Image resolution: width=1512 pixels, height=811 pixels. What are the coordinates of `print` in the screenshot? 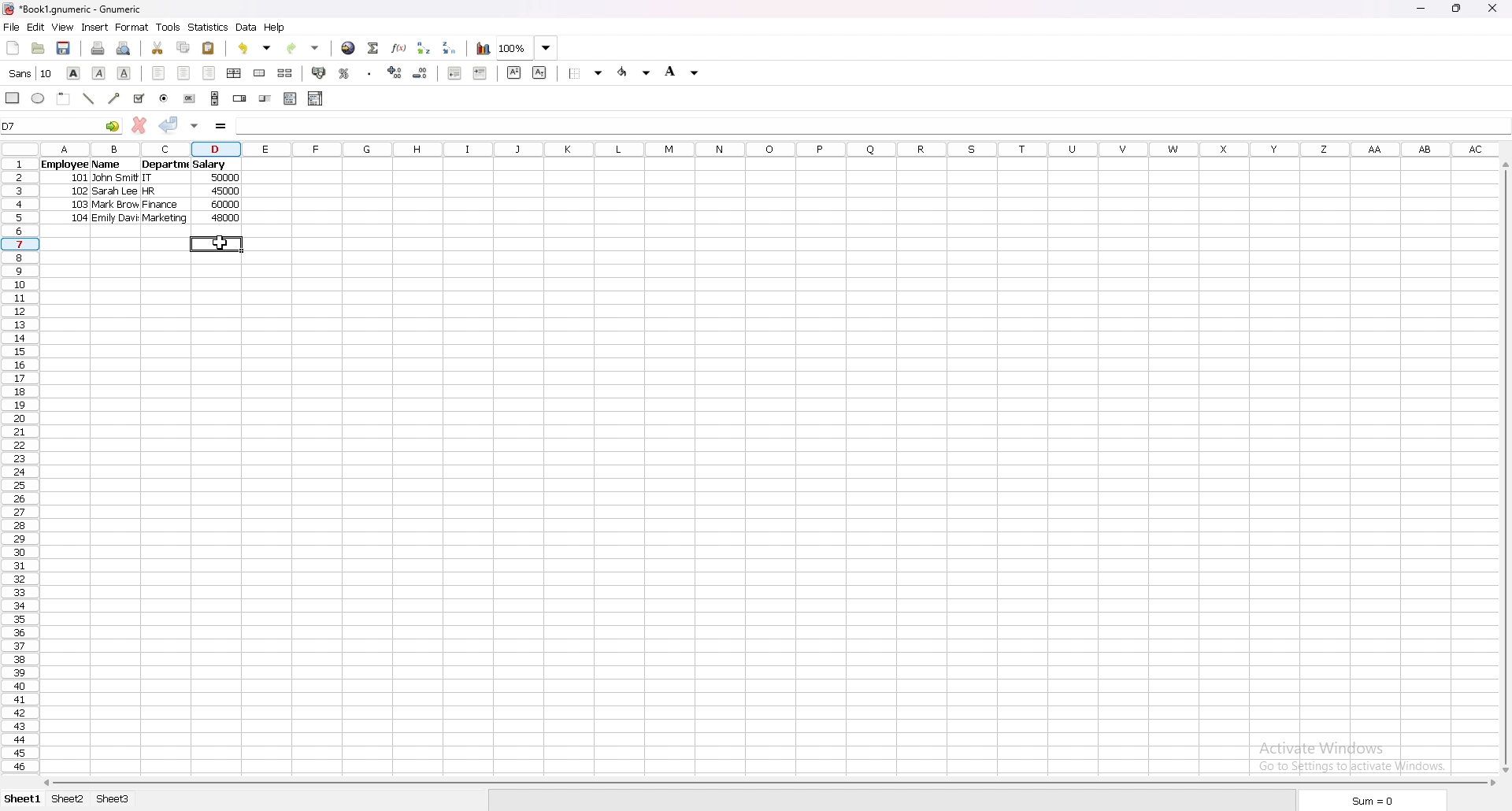 It's located at (99, 48).